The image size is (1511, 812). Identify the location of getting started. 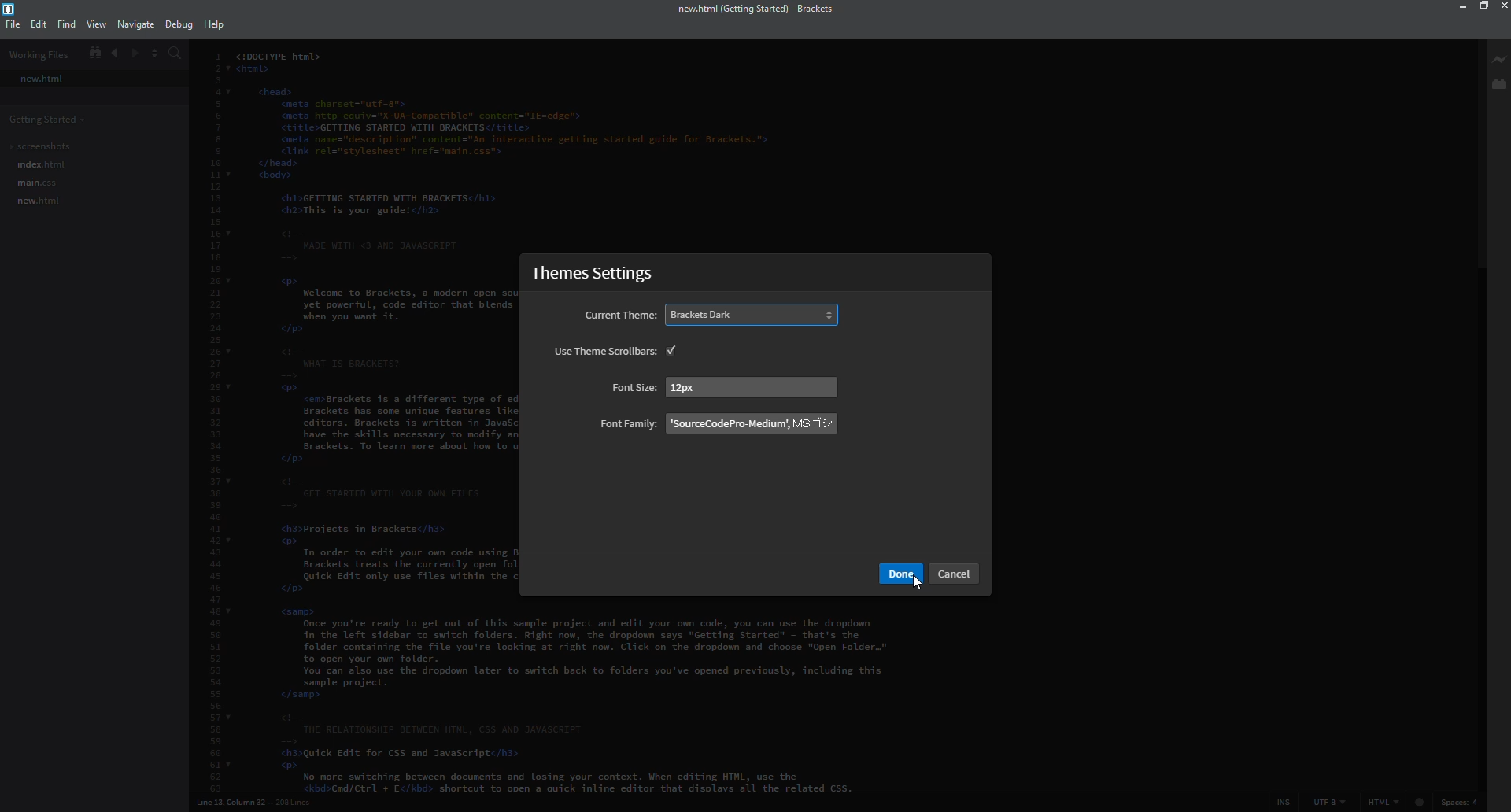
(48, 120).